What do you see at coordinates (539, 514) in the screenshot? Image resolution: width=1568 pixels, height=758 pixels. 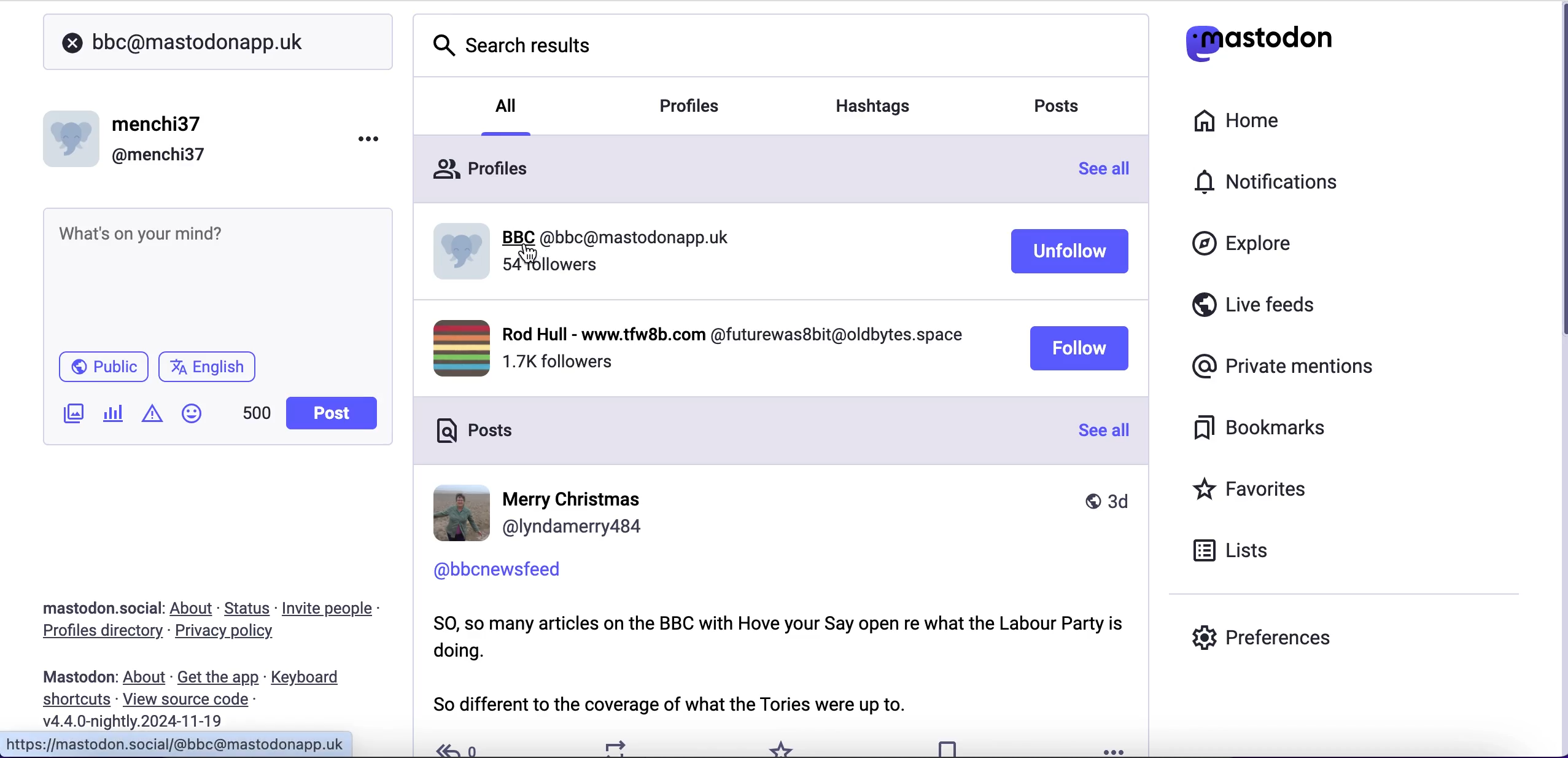 I see `ser` at bounding box center [539, 514].